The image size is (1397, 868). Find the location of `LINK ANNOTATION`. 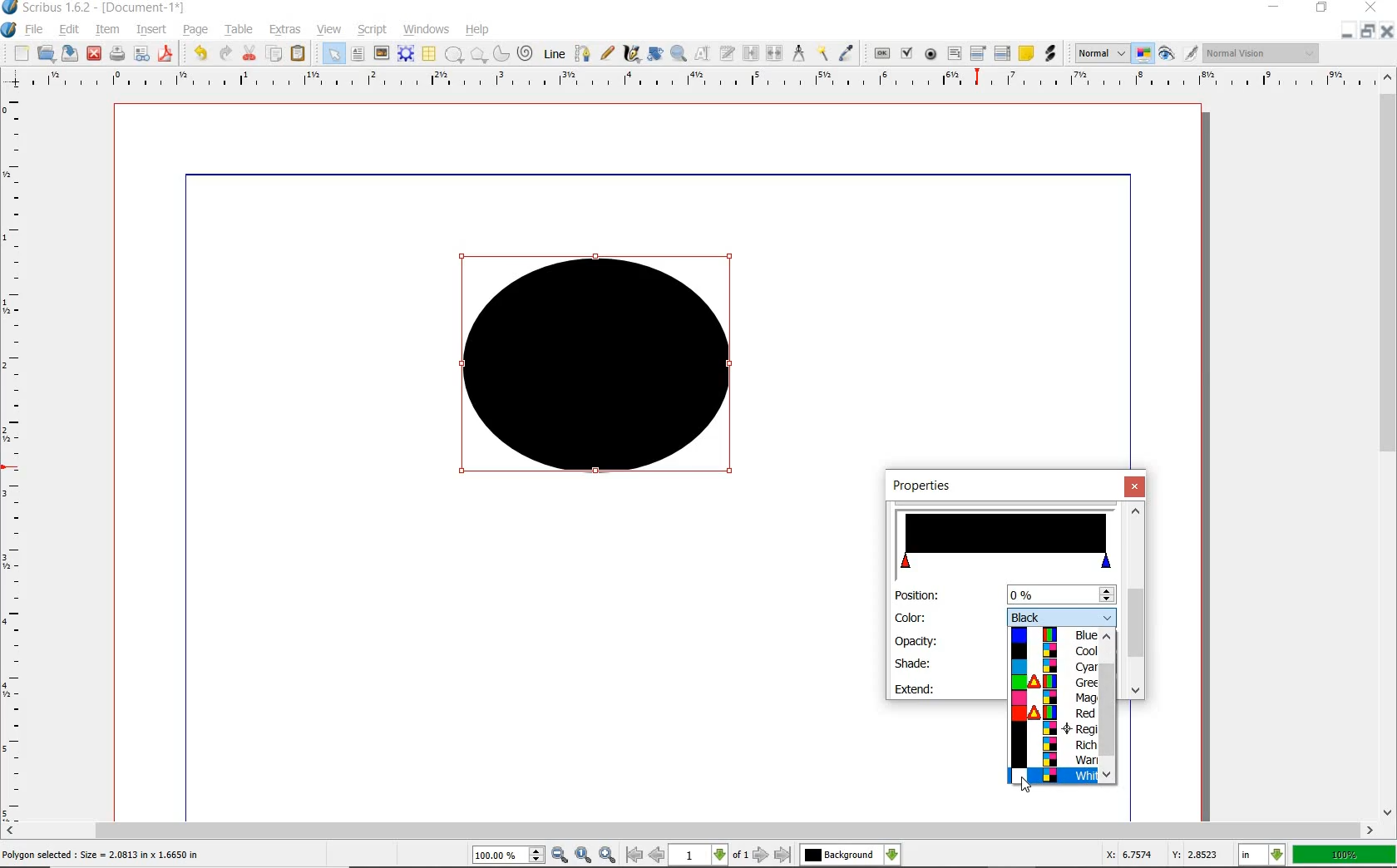

LINK ANNOTATION is located at coordinates (1051, 54).